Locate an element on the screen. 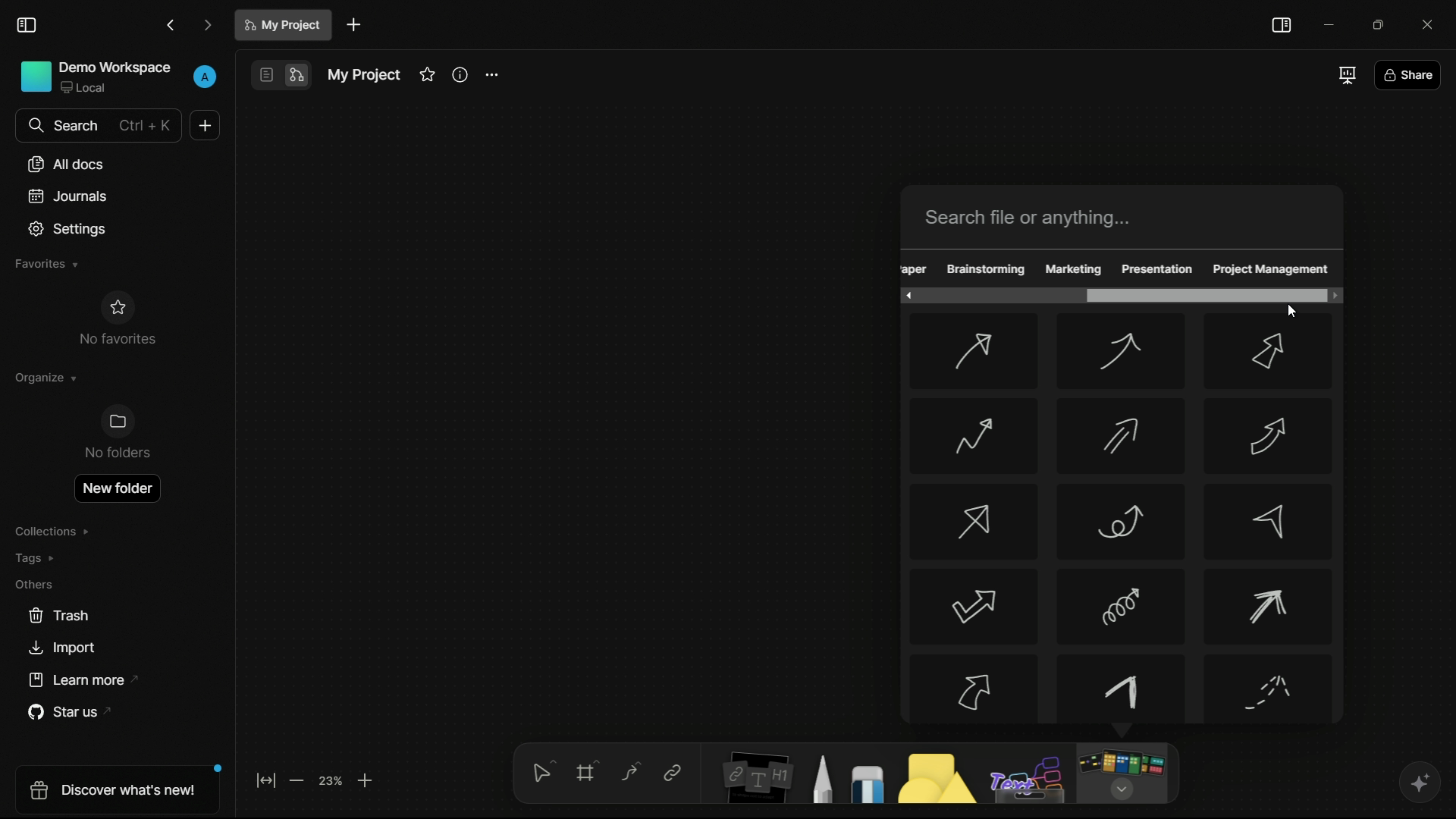  maximize or restore is located at coordinates (1384, 24).